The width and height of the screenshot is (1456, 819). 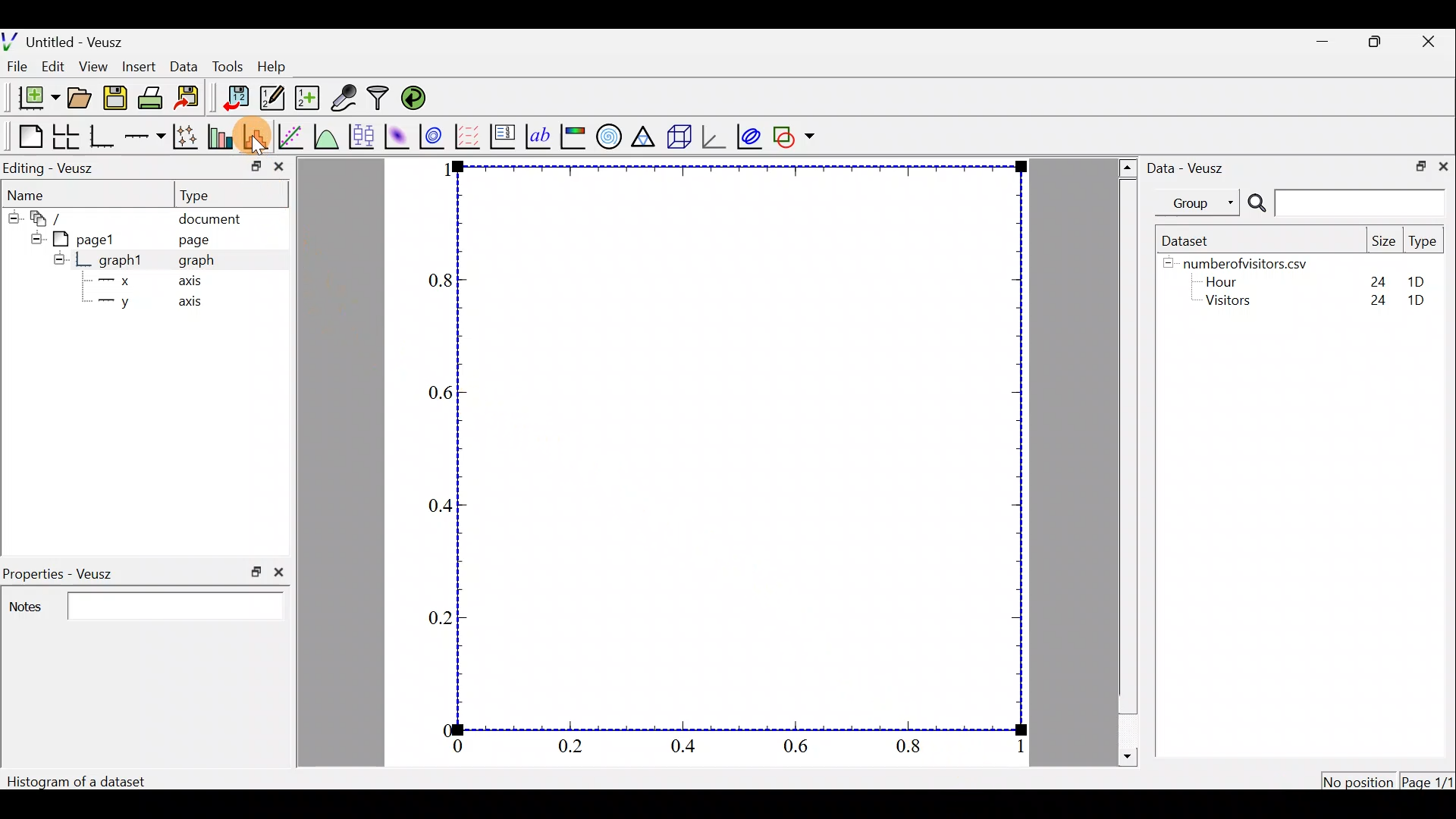 I want to click on 0.4, so click(x=442, y=502).